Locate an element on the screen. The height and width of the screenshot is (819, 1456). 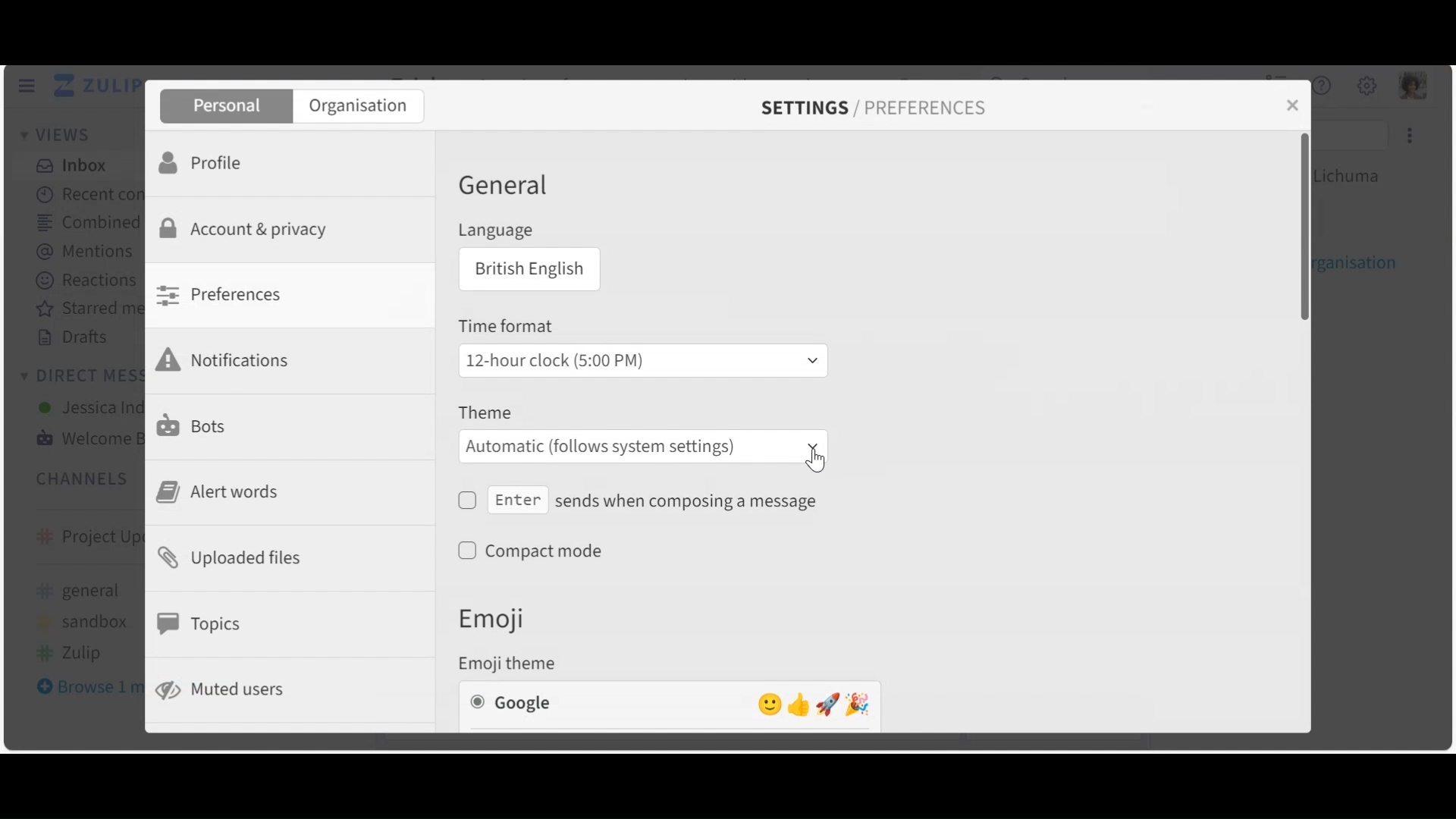
Profile is located at coordinates (202, 164).